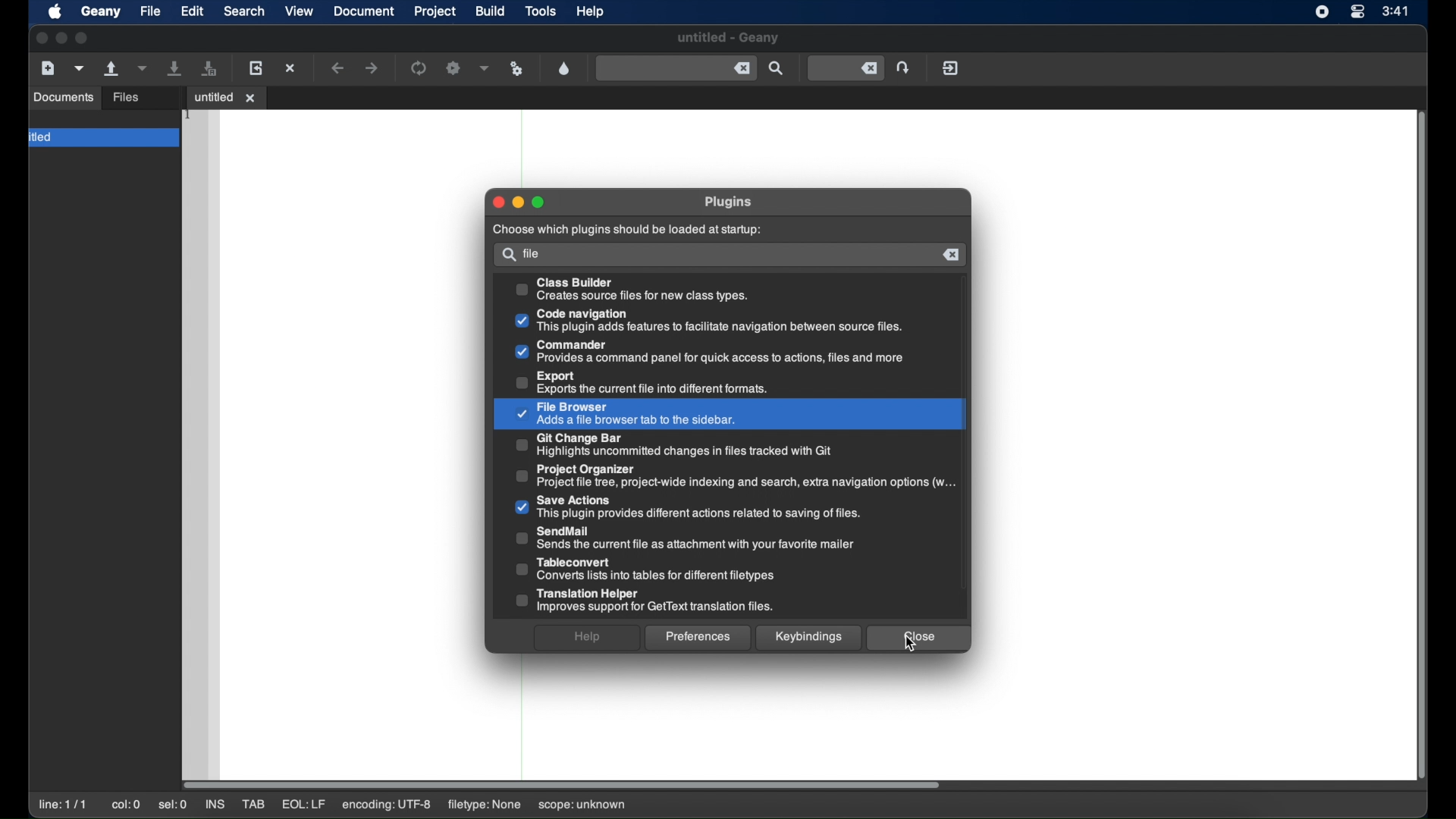 This screenshot has width=1456, height=819. What do you see at coordinates (519, 202) in the screenshot?
I see `` at bounding box center [519, 202].